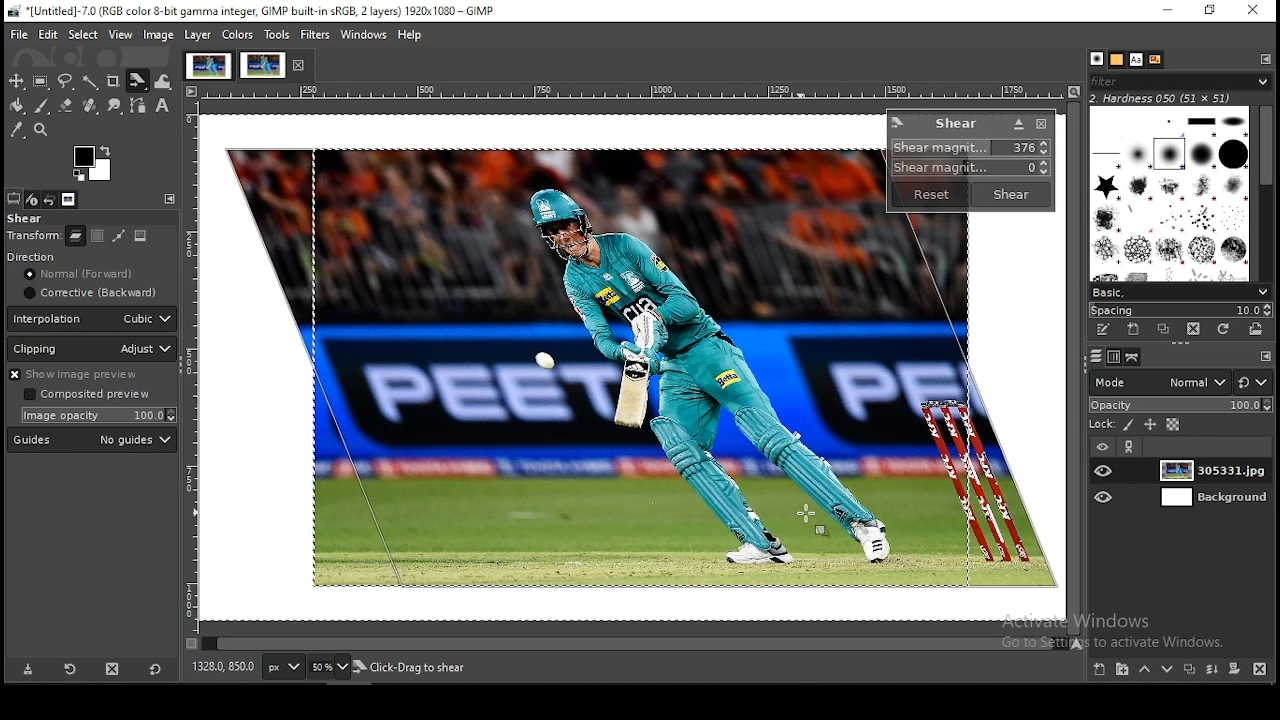 The image size is (1280, 720). I want to click on brushes, so click(1167, 195).